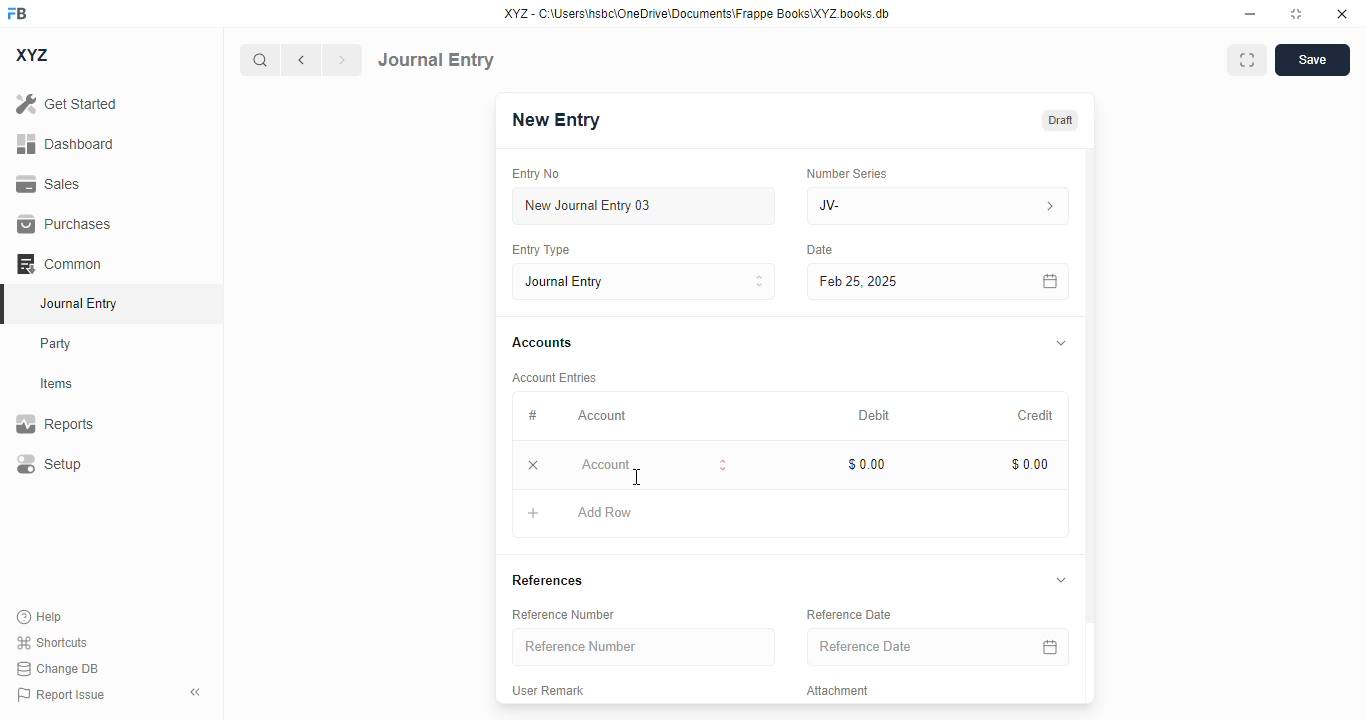 The width and height of the screenshot is (1366, 720). What do you see at coordinates (1091, 424) in the screenshot?
I see `scroll bar` at bounding box center [1091, 424].